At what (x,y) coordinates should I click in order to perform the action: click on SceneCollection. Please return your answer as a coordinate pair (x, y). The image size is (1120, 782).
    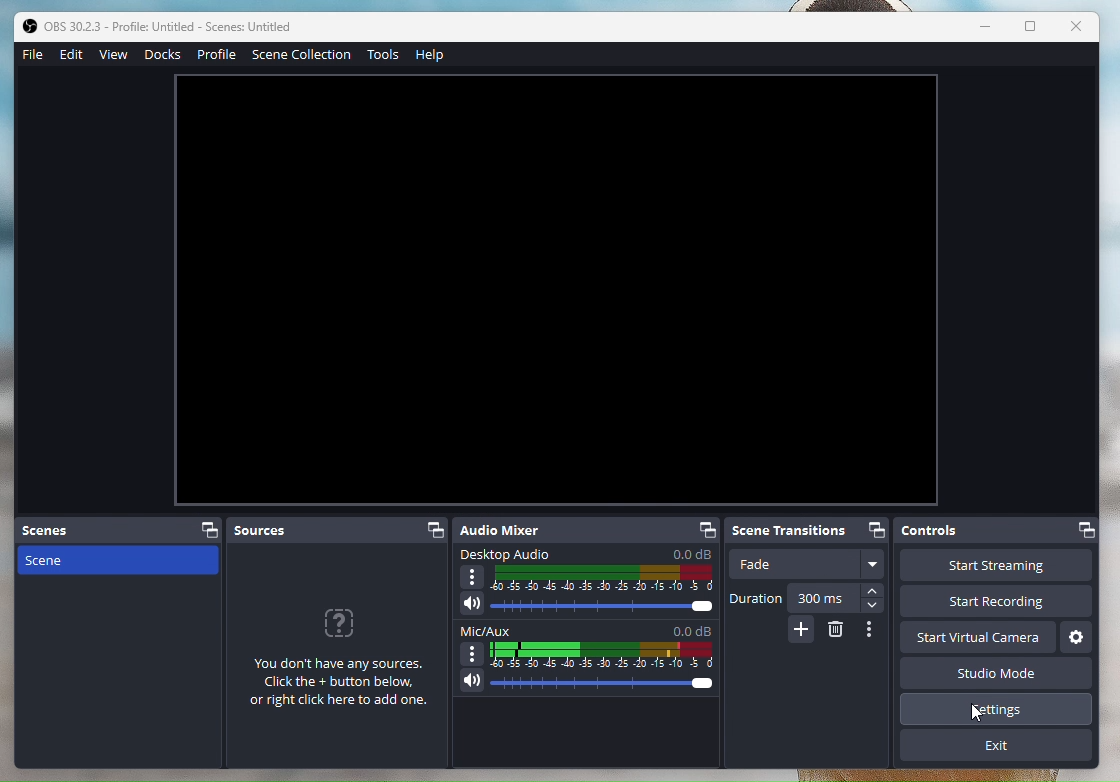
    Looking at the image, I should click on (301, 54).